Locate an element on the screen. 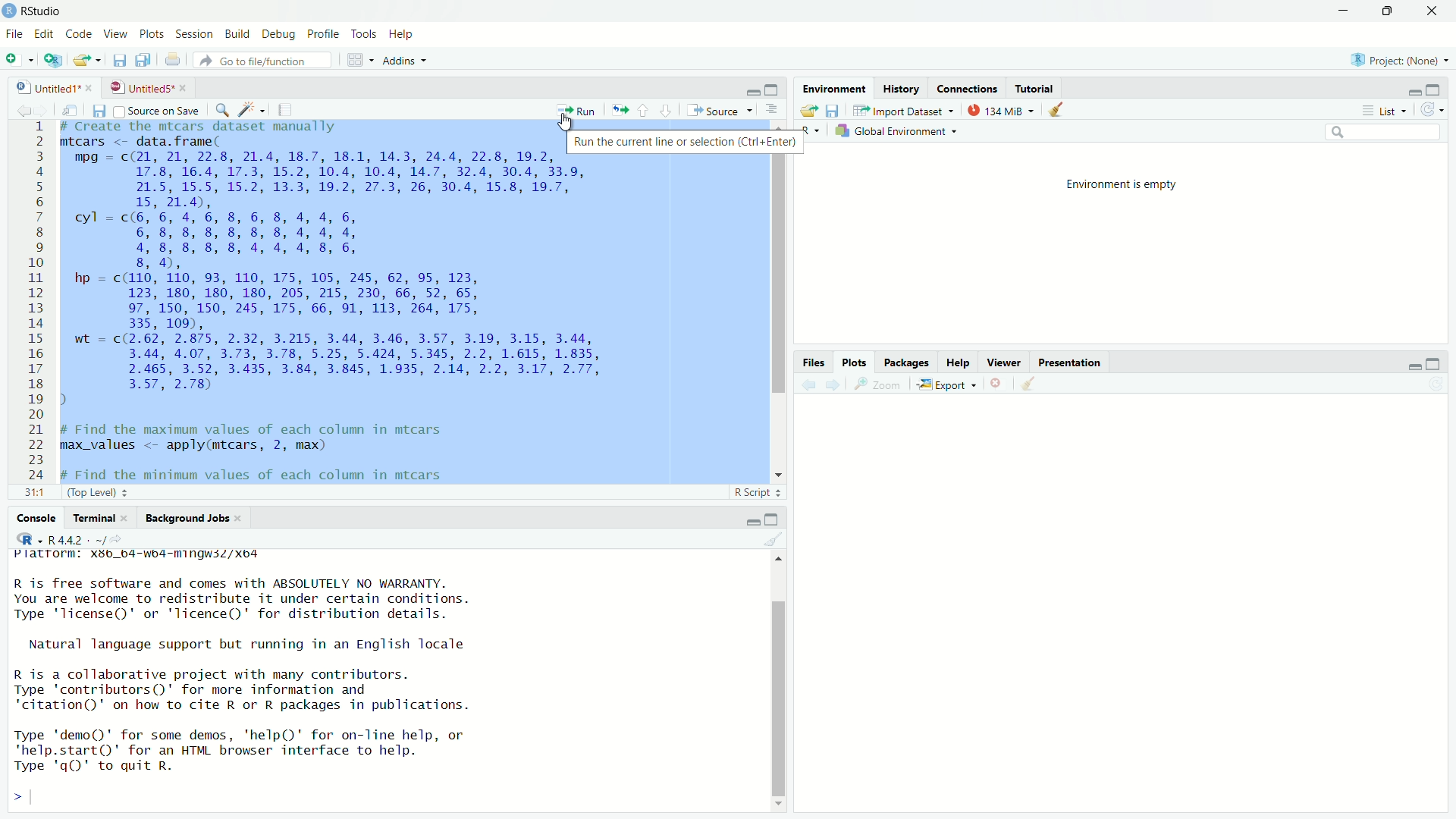  scroll bar is located at coordinates (773, 298).